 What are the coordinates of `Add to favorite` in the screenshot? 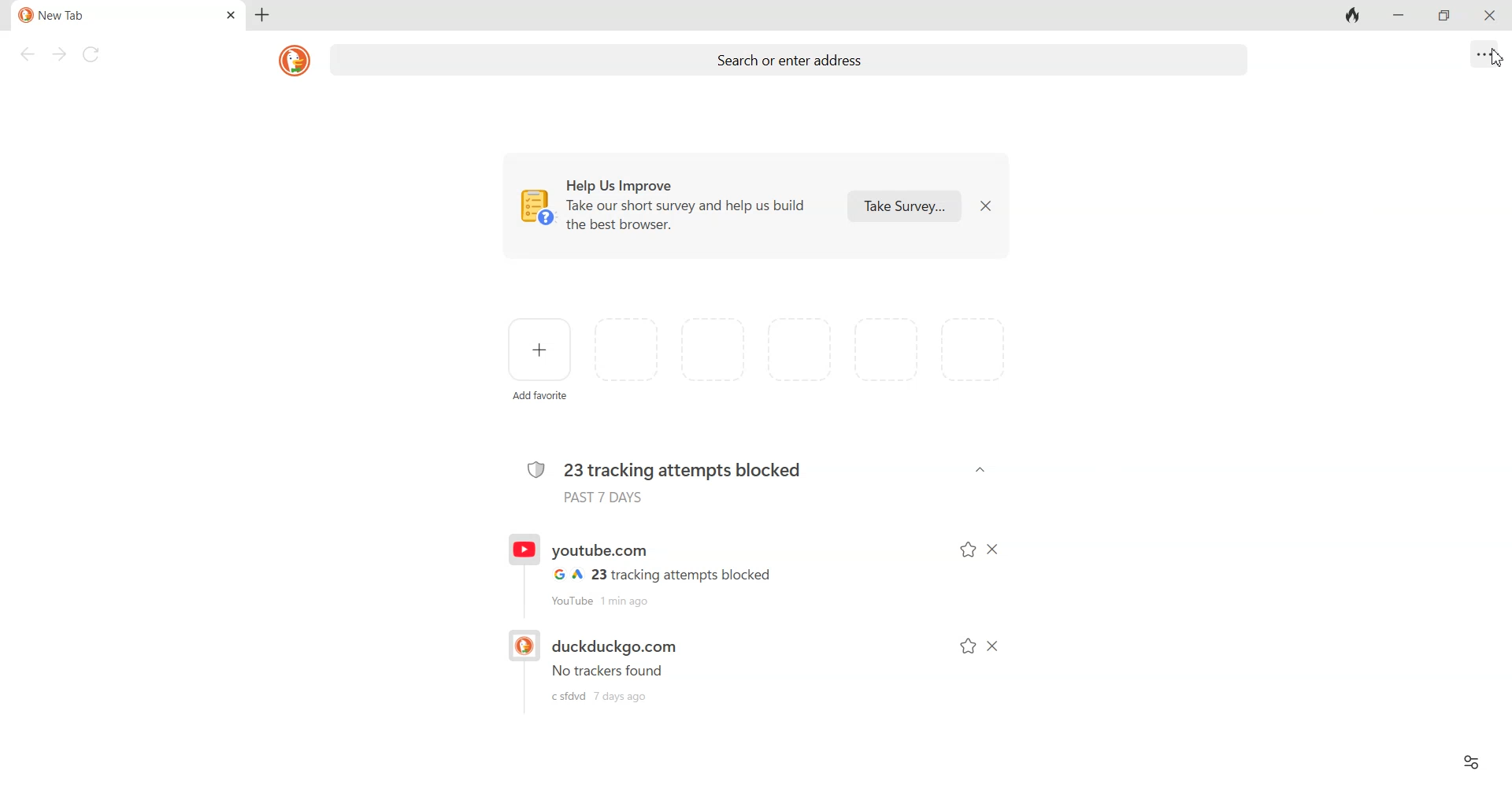 It's located at (969, 646).